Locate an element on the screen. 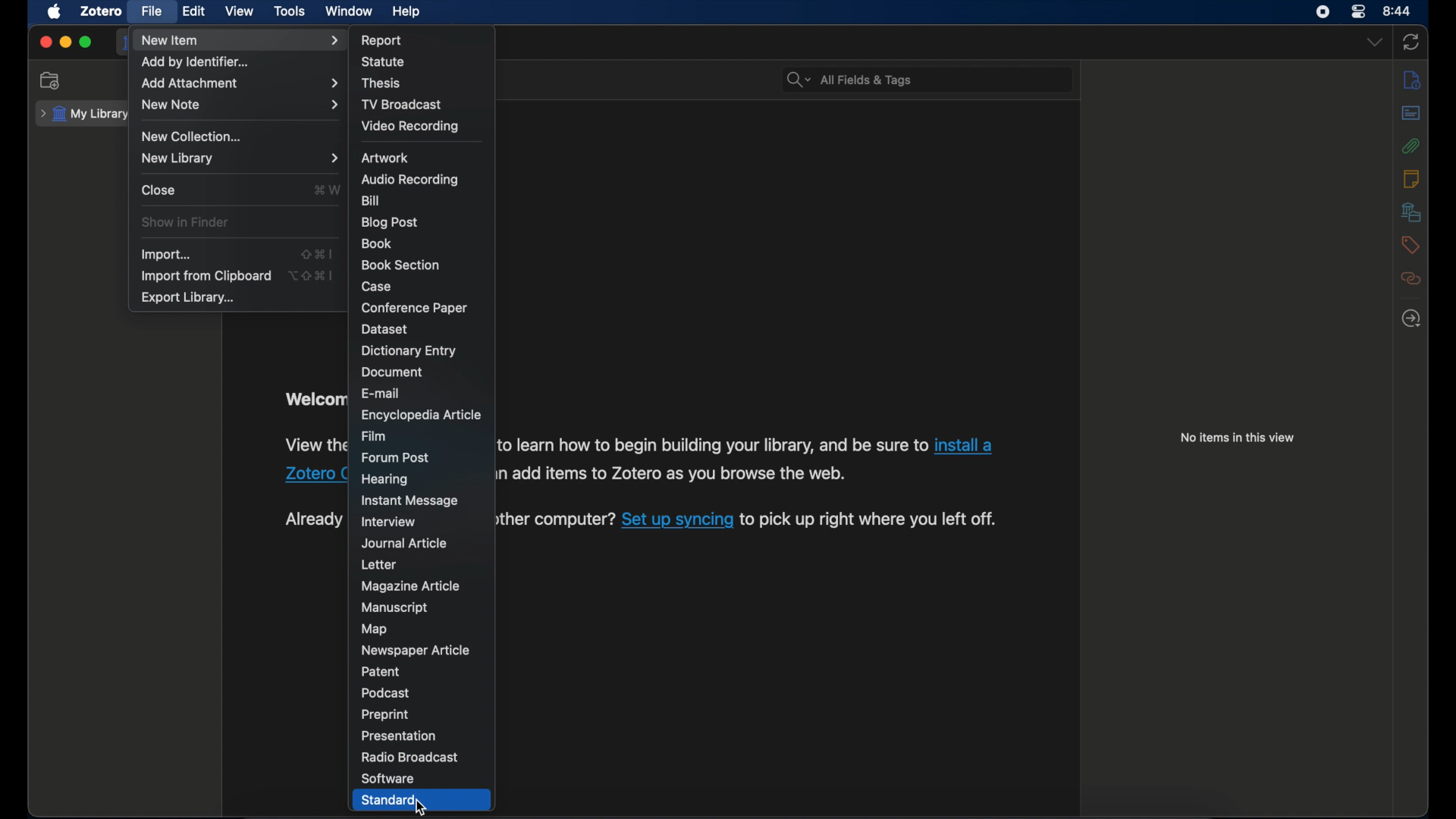 This screenshot has width=1456, height=819. manuscript is located at coordinates (396, 607).